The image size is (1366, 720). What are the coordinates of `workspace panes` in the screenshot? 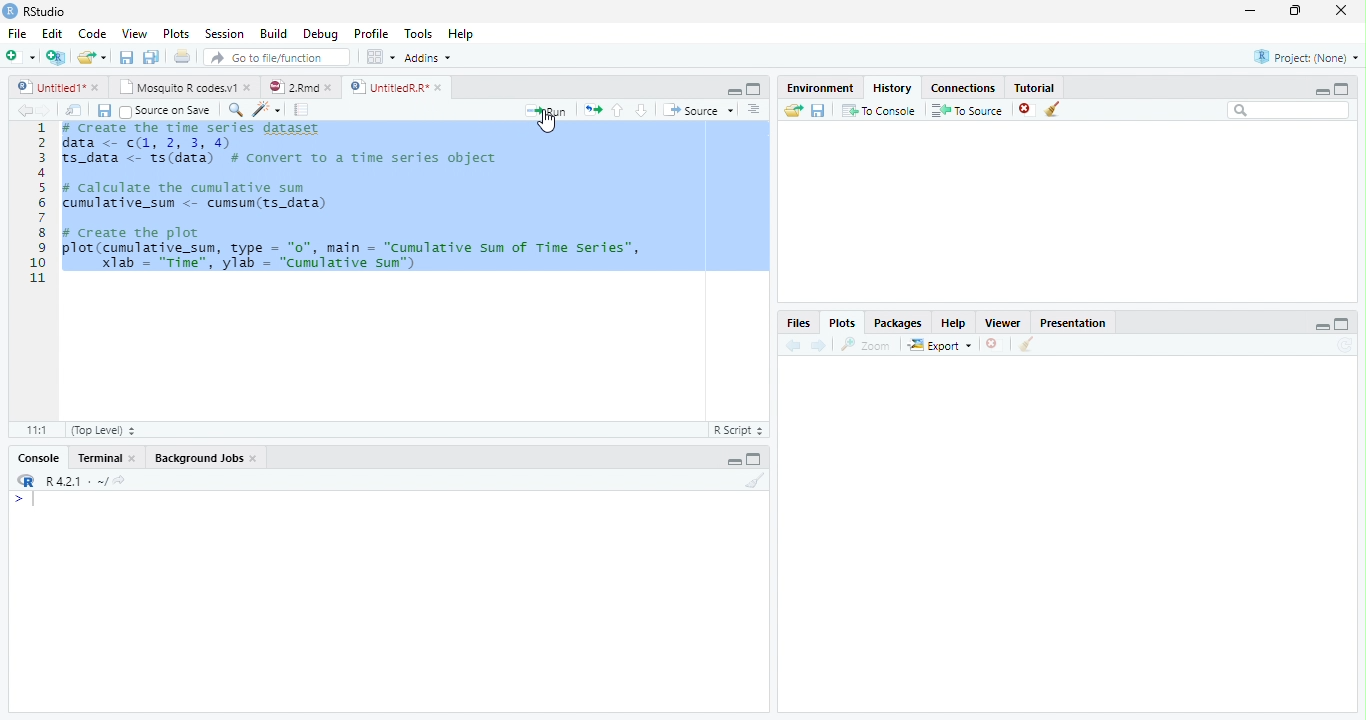 It's located at (381, 61).